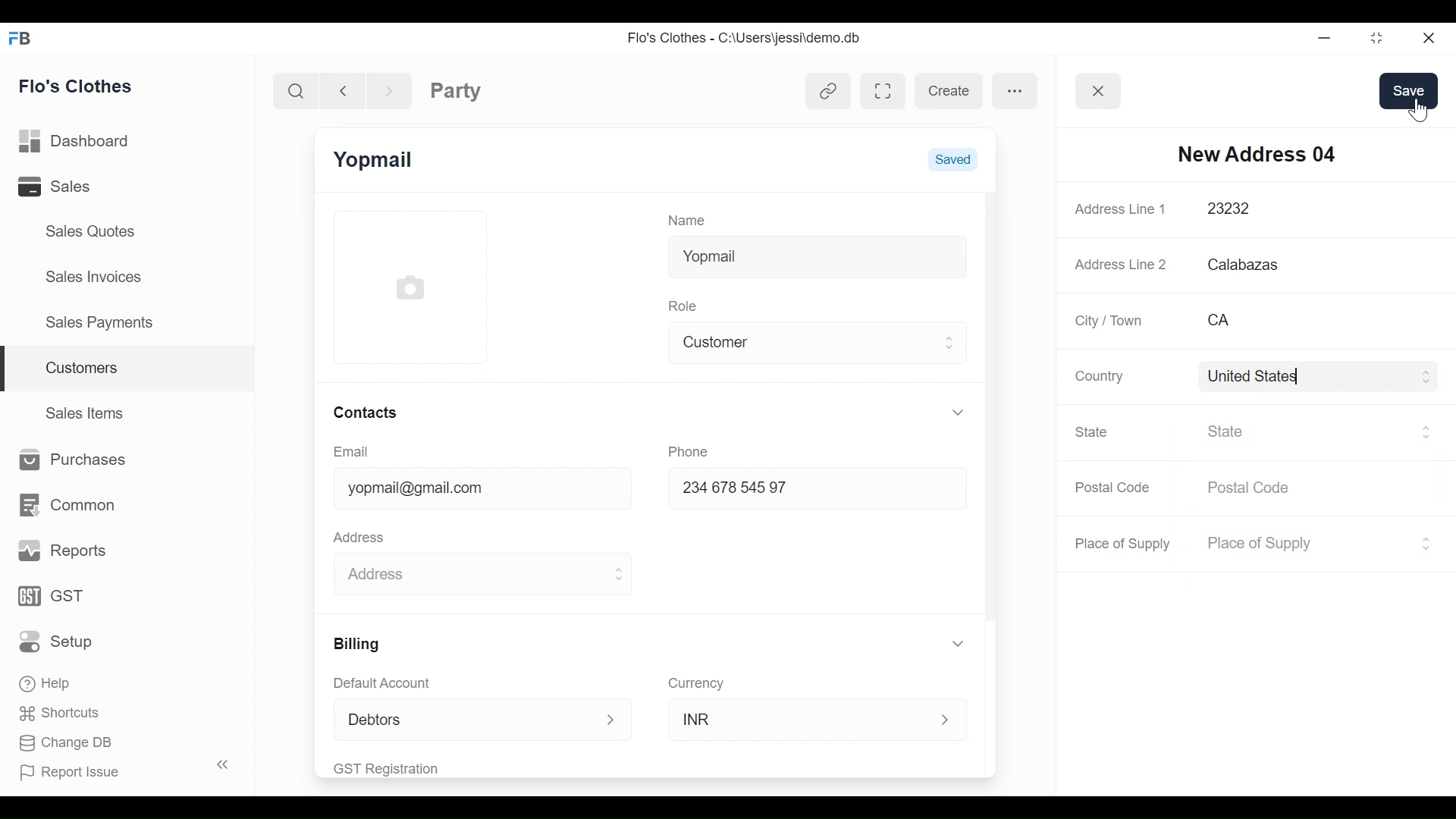 This screenshot has height=819, width=1456. Describe the element at coordinates (948, 91) in the screenshot. I see `create` at that location.